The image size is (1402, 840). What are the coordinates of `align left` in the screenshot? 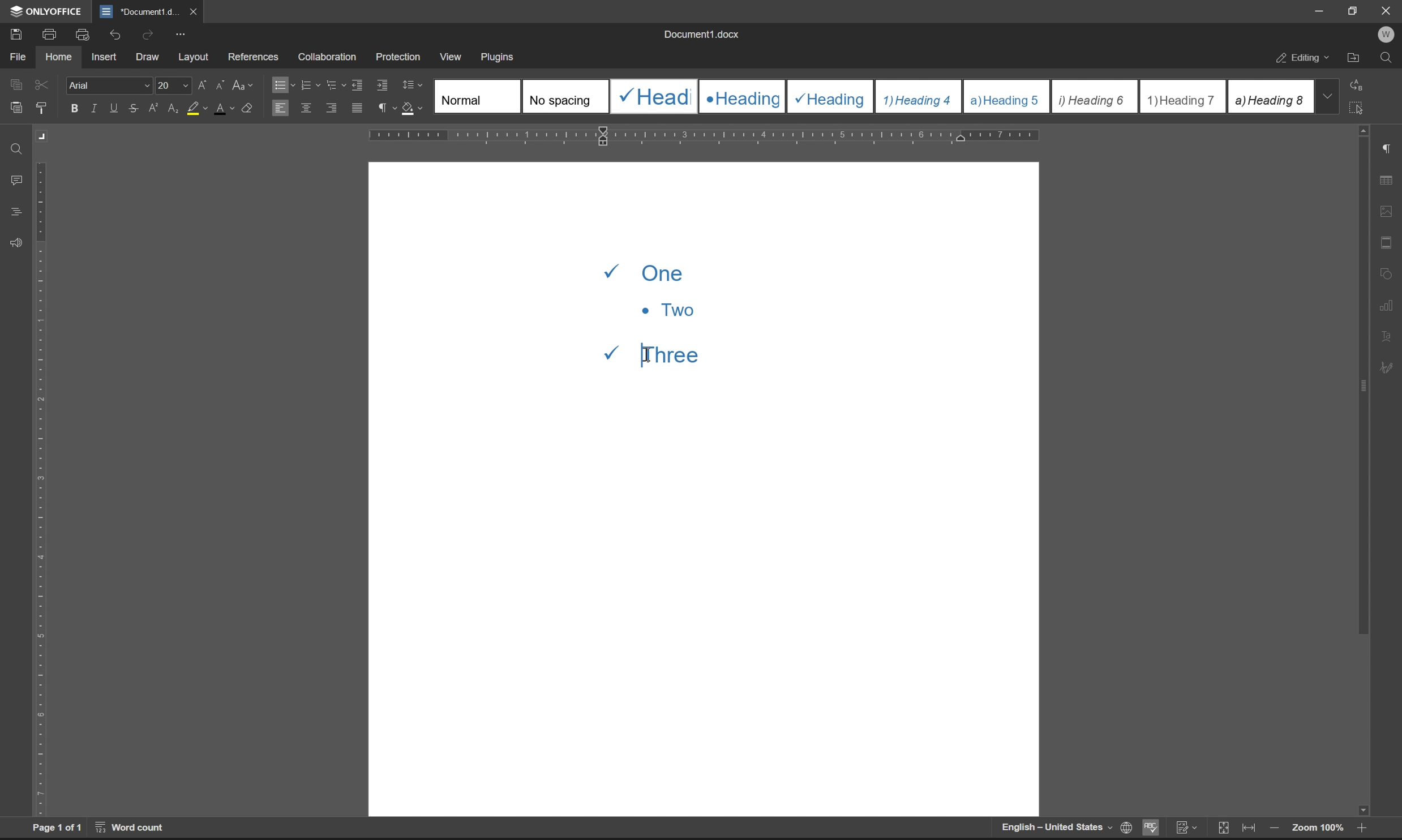 It's located at (280, 107).